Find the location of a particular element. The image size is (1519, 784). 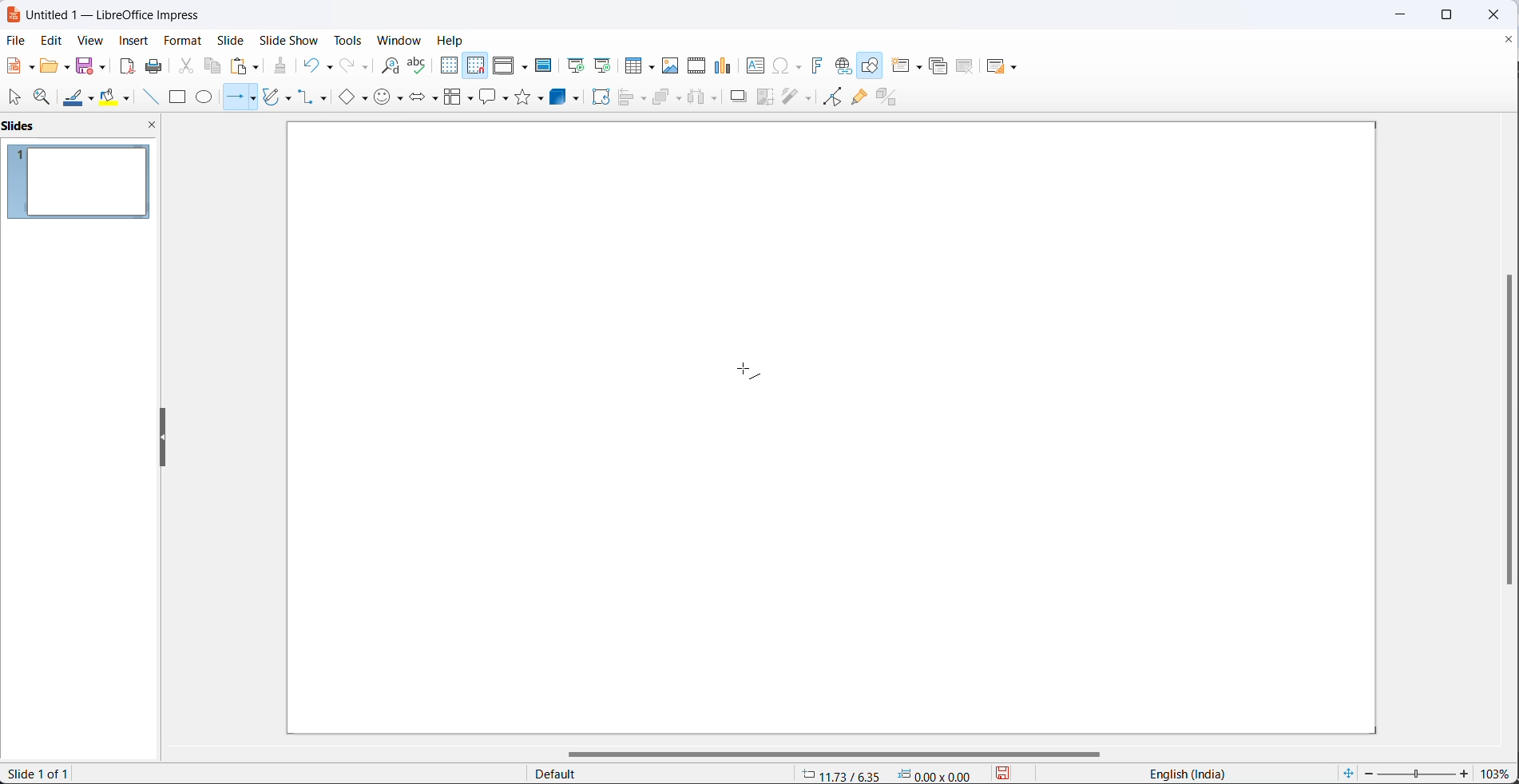

symbol shapes is located at coordinates (389, 100).